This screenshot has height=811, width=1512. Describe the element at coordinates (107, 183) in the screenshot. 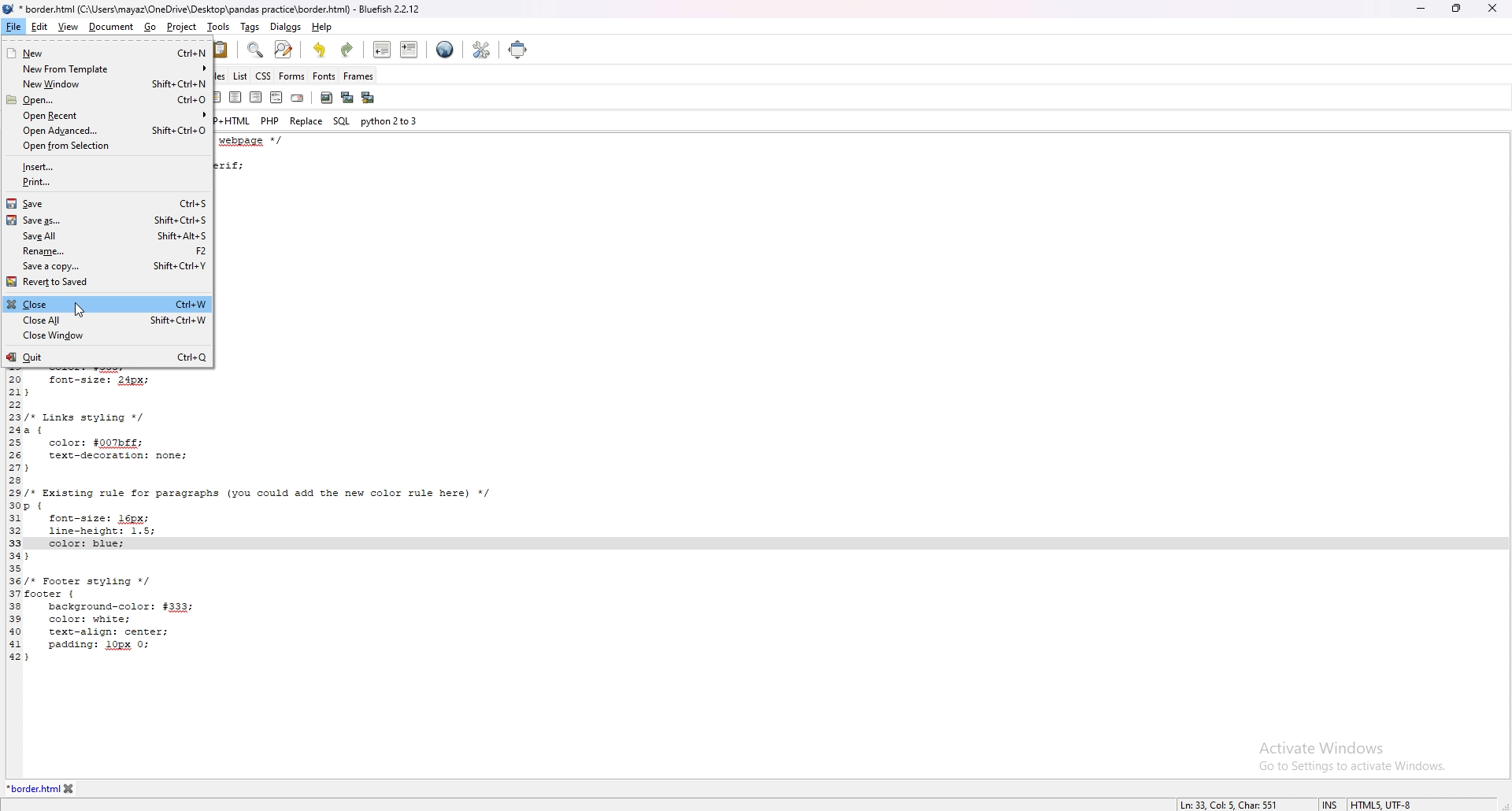

I see `print` at that location.